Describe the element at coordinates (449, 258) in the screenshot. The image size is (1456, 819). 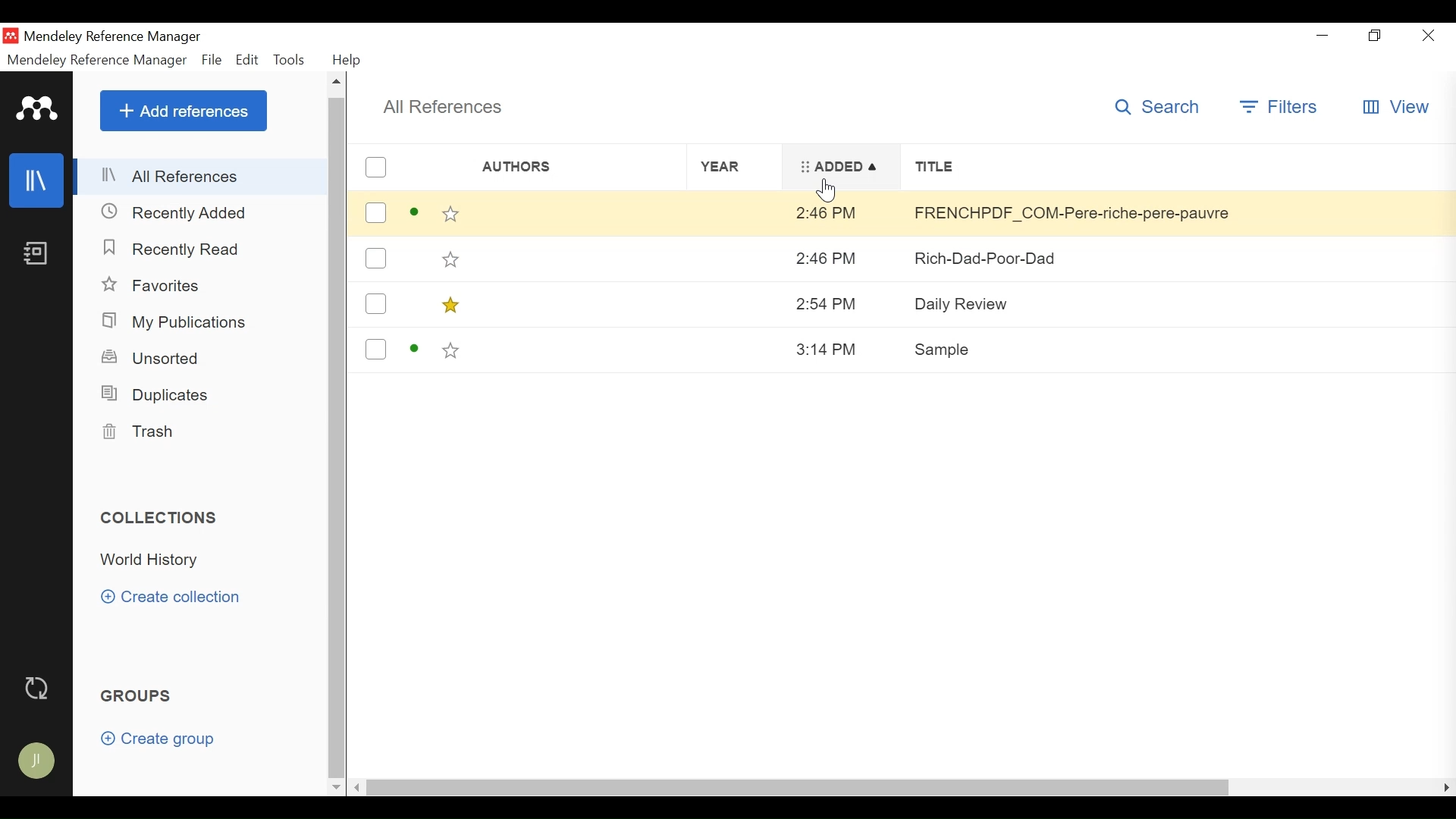
I see `Toggle Favorites` at that location.